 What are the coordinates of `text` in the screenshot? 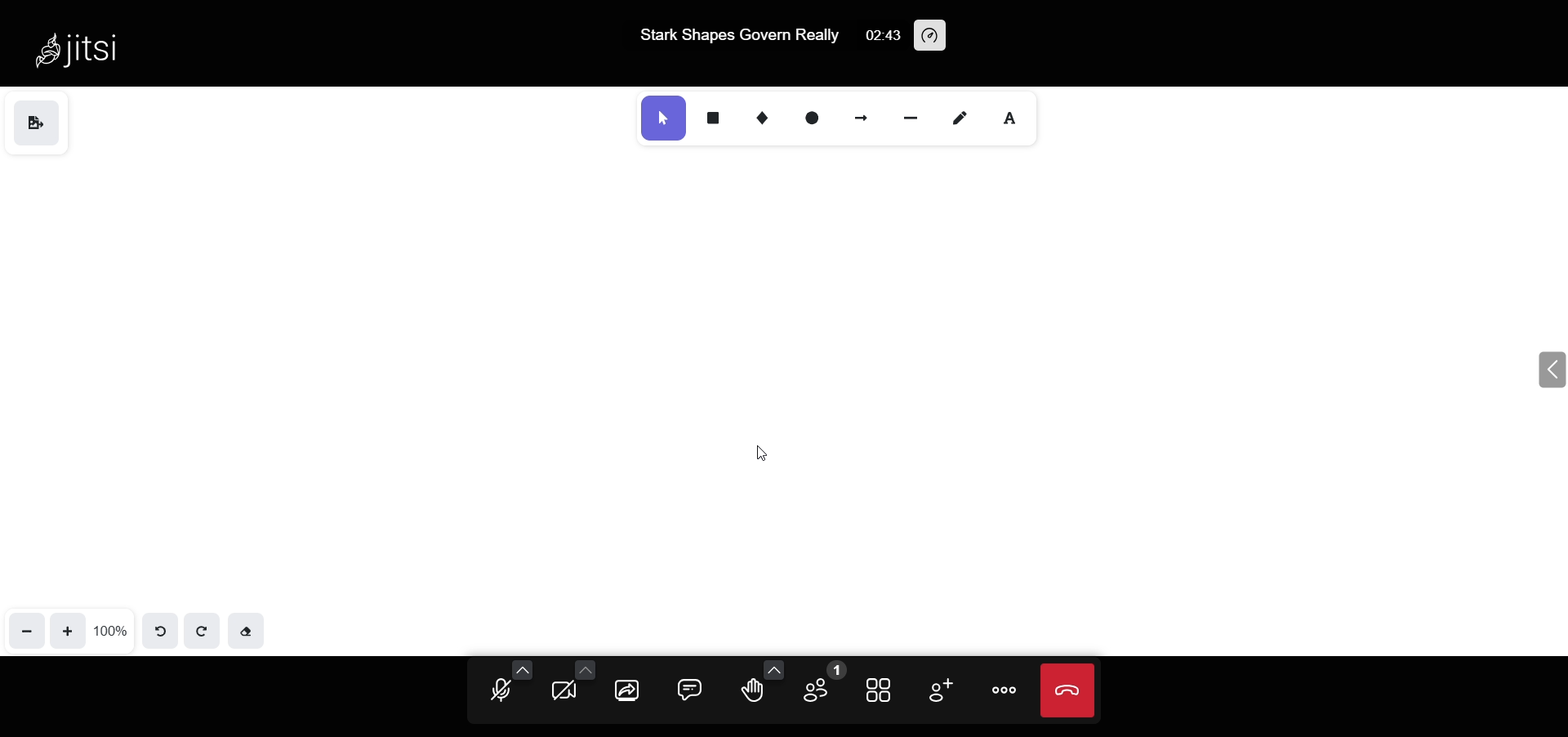 It's located at (1010, 121).